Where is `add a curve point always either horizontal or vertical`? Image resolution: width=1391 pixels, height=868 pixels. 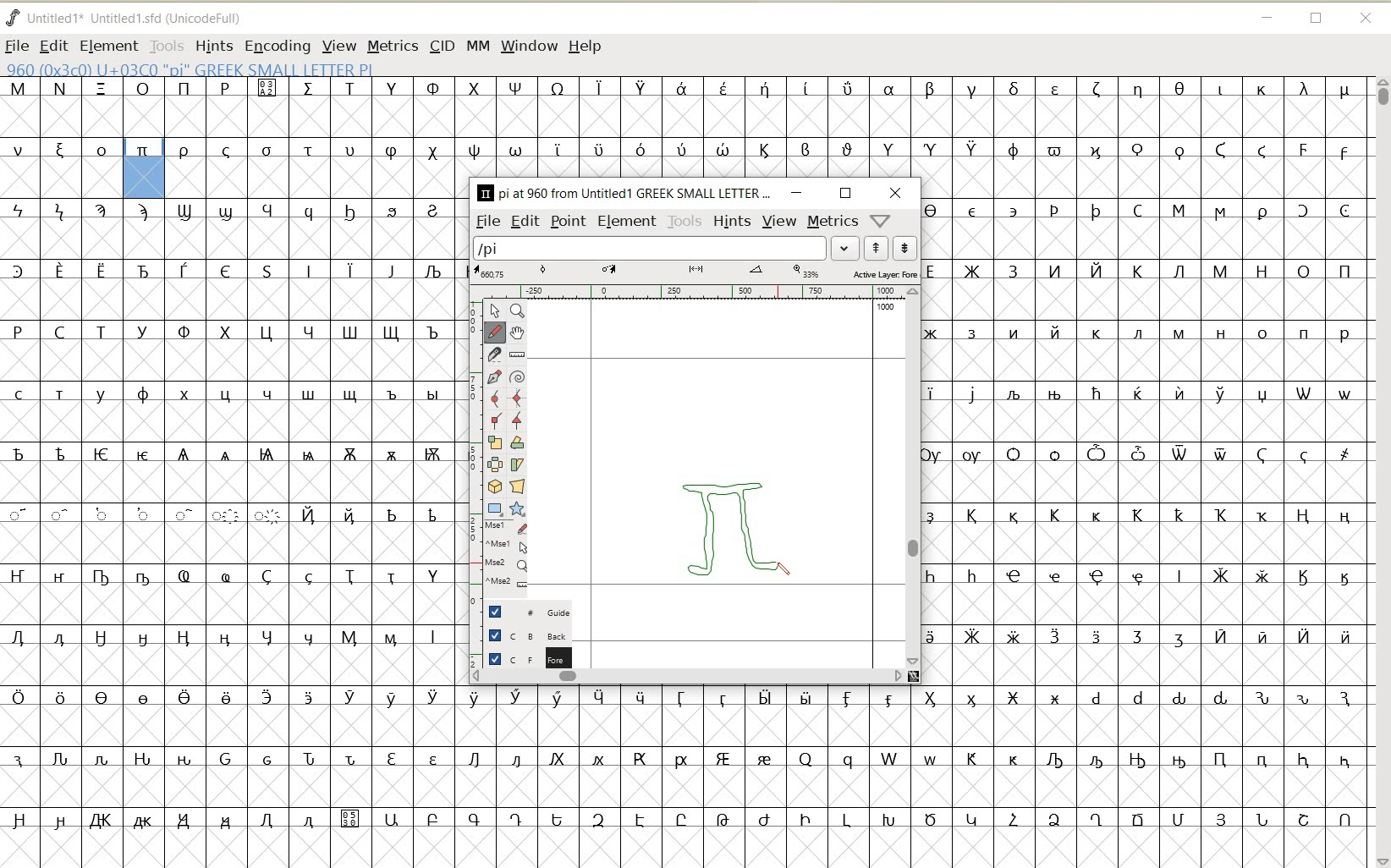
add a curve point always either horizontal or vertical is located at coordinates (519, 398).